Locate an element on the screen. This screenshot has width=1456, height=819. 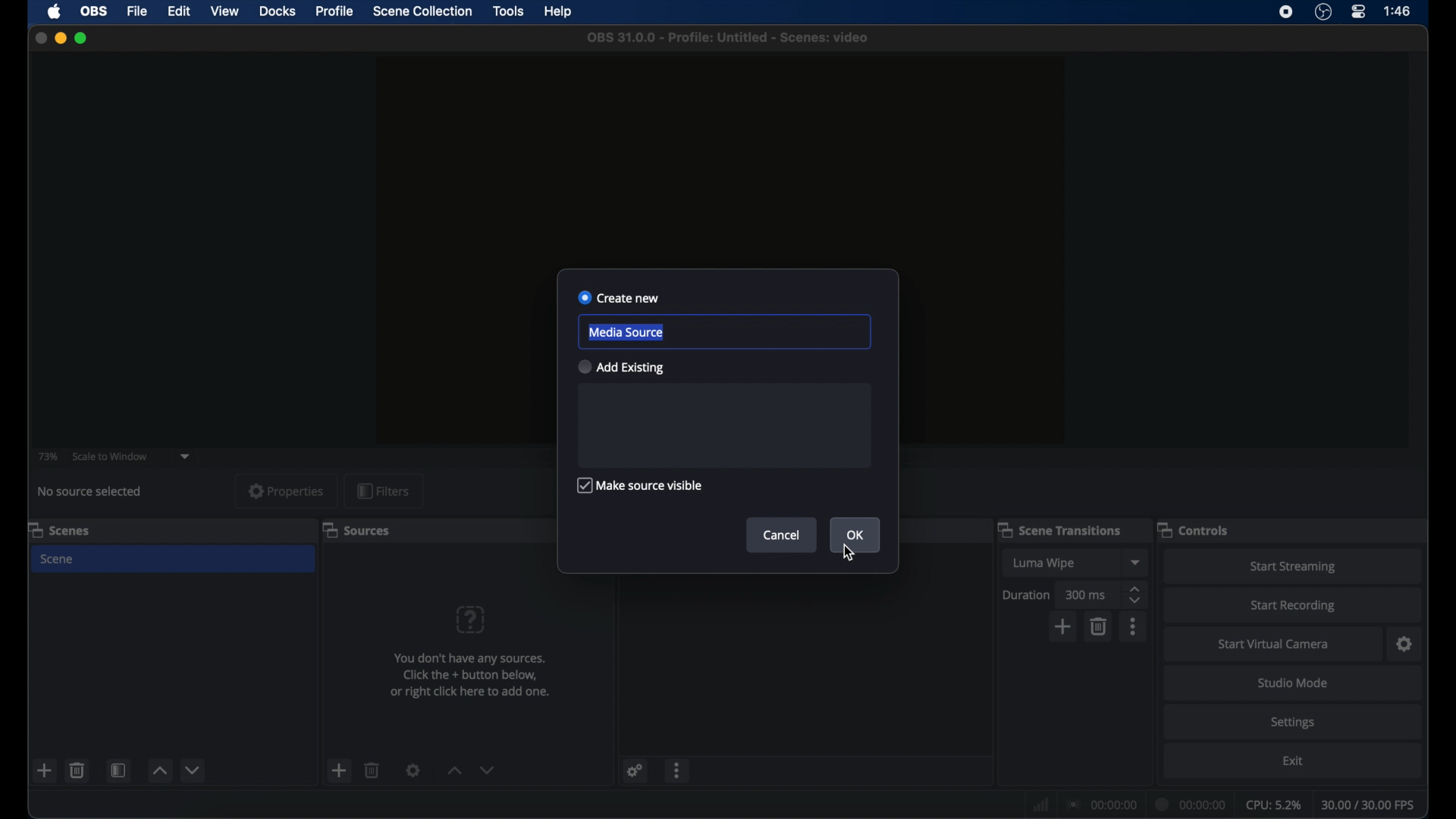
obs studio is located at coordinates (1323, 11).